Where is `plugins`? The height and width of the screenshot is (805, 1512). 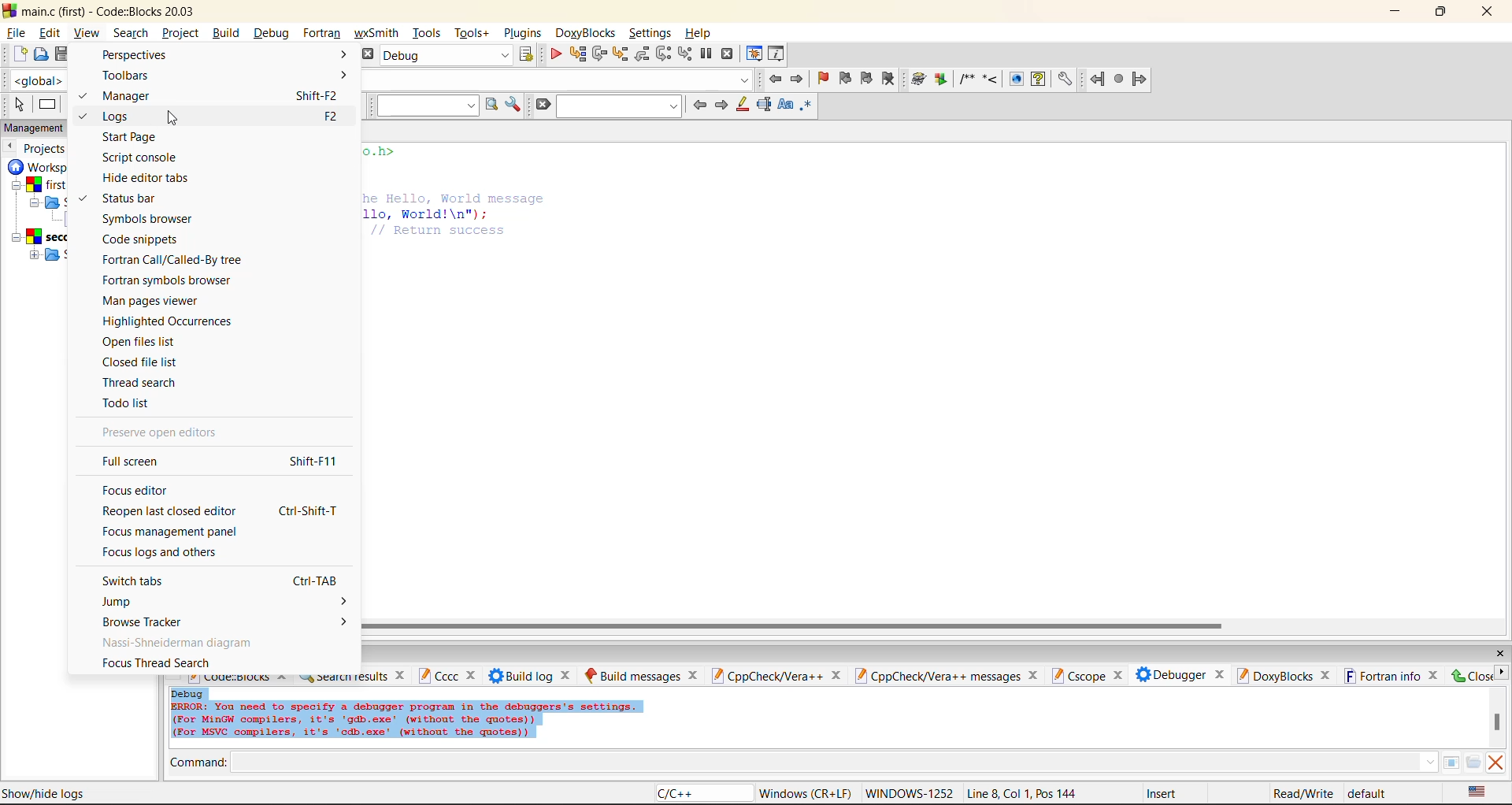 plugins is located at coordinates (525, 33).